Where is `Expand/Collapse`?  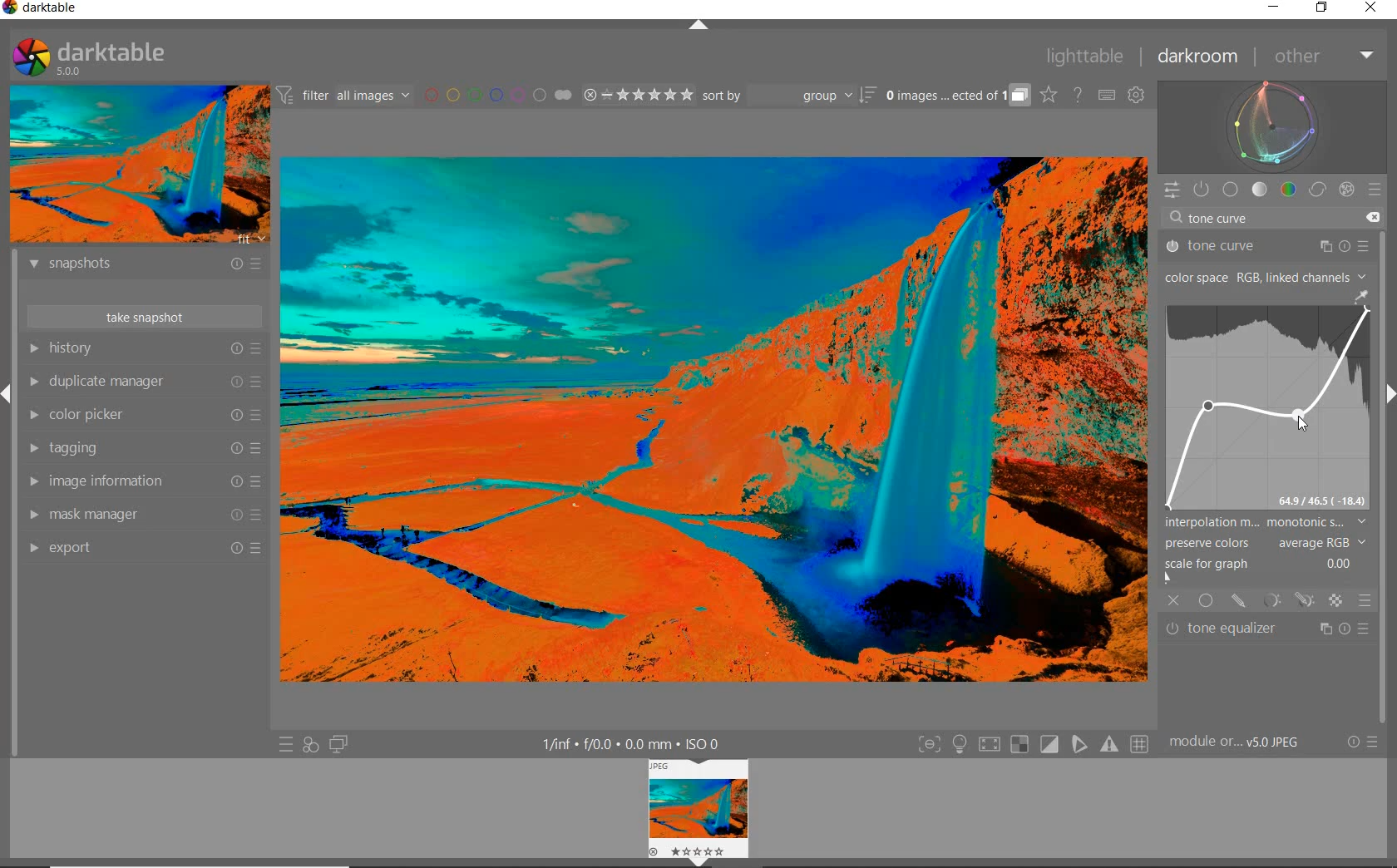
Expand/Collapse is located at coordinates (695, 862).